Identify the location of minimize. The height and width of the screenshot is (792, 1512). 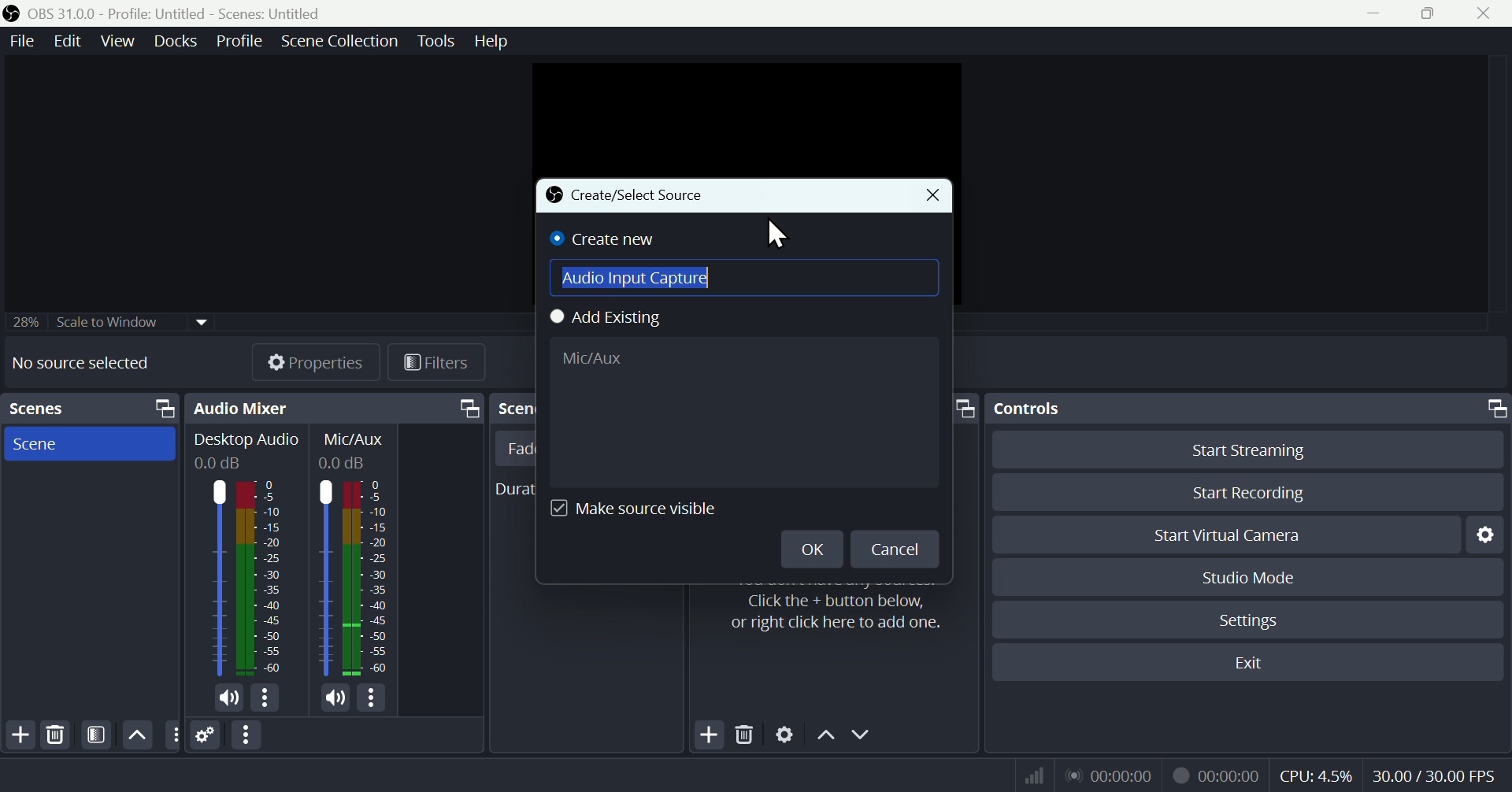
(1379, 13).